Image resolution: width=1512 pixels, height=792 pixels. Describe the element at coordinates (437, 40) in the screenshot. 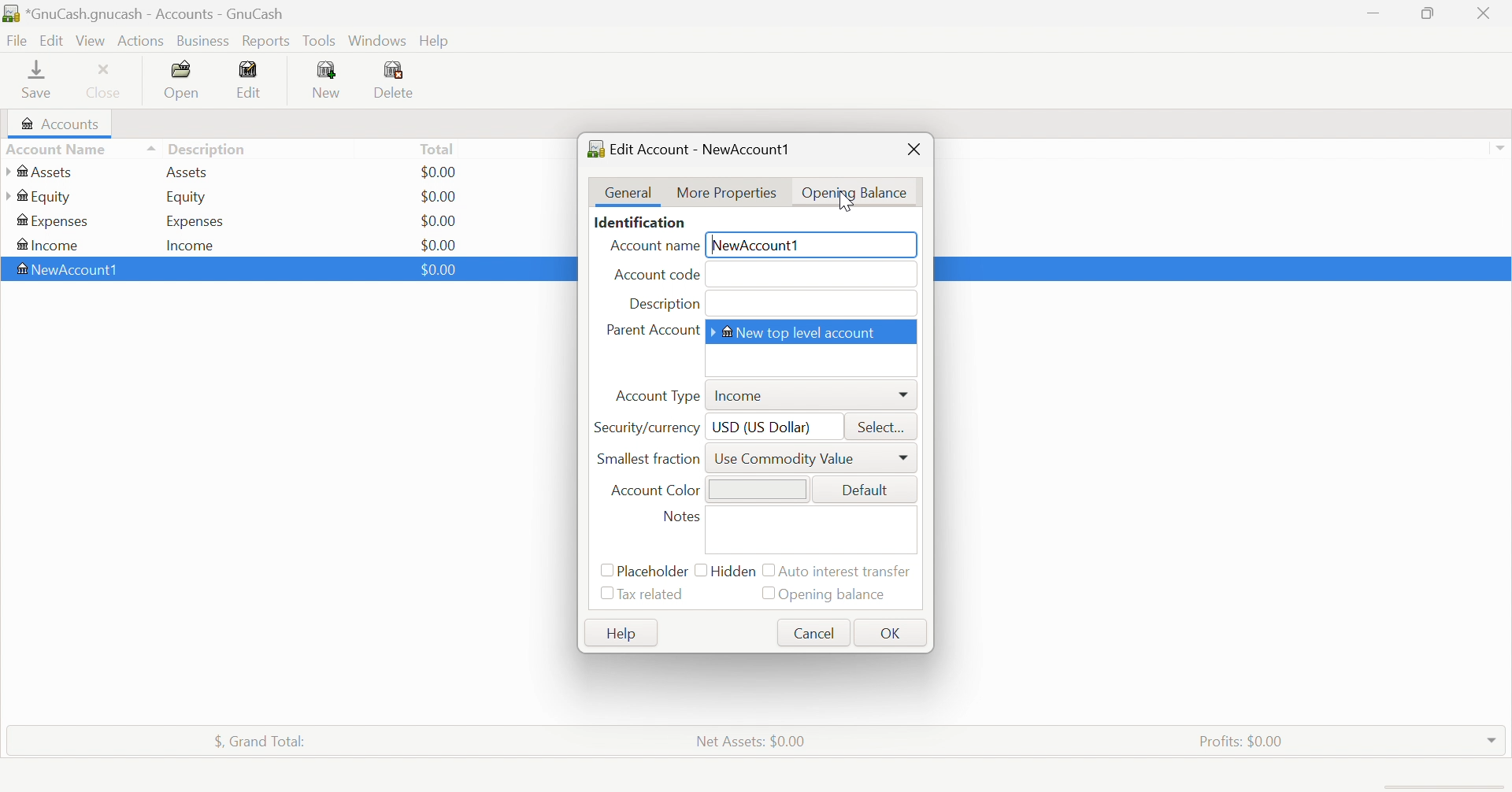

I see `Help` at that location.